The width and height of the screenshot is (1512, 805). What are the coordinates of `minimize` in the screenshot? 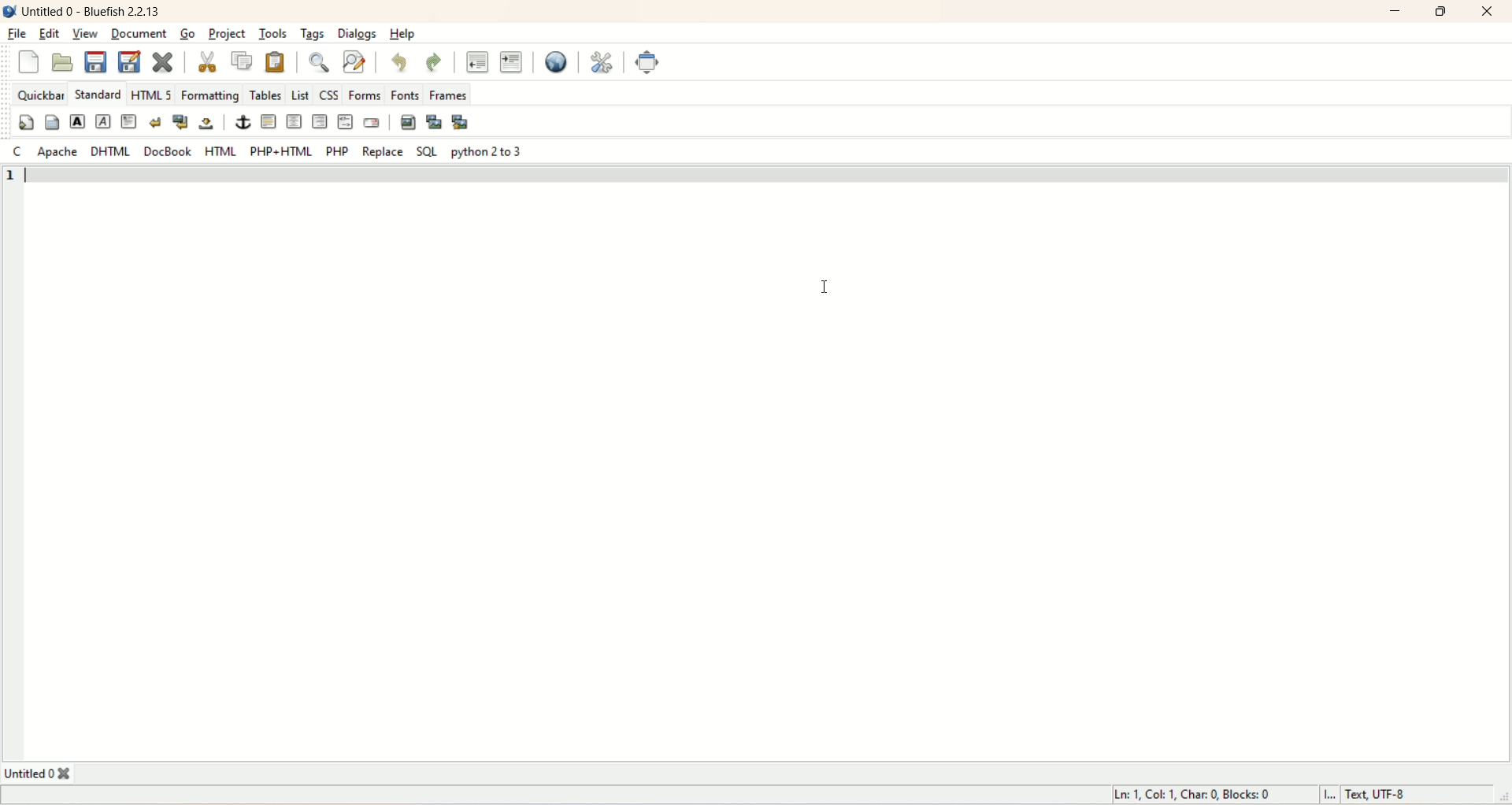 It's located at (1395, 11).